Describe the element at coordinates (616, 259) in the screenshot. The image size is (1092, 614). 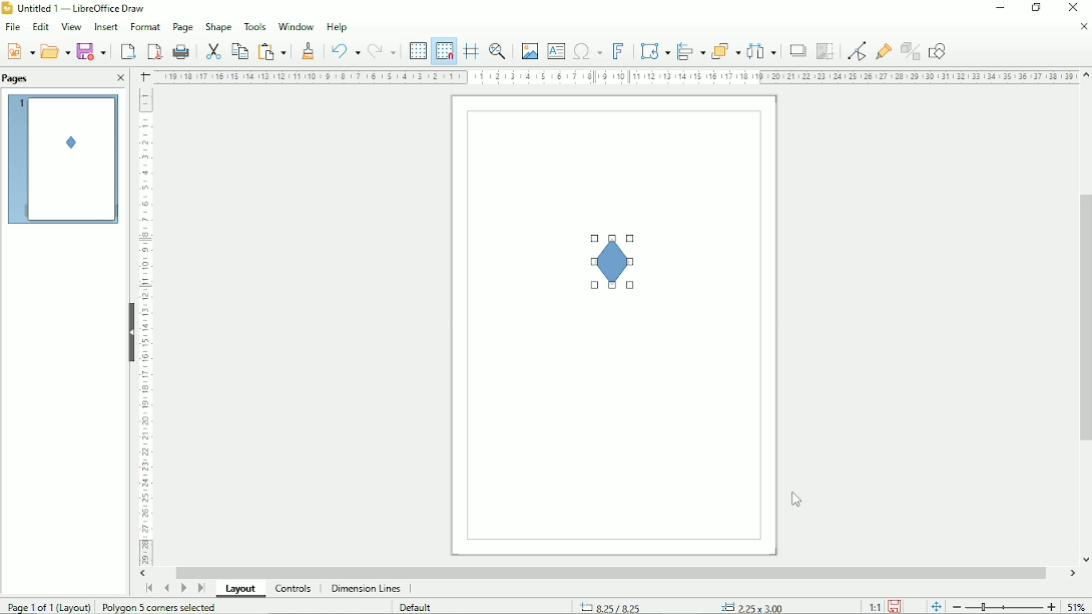
I see `Shape` at that location.